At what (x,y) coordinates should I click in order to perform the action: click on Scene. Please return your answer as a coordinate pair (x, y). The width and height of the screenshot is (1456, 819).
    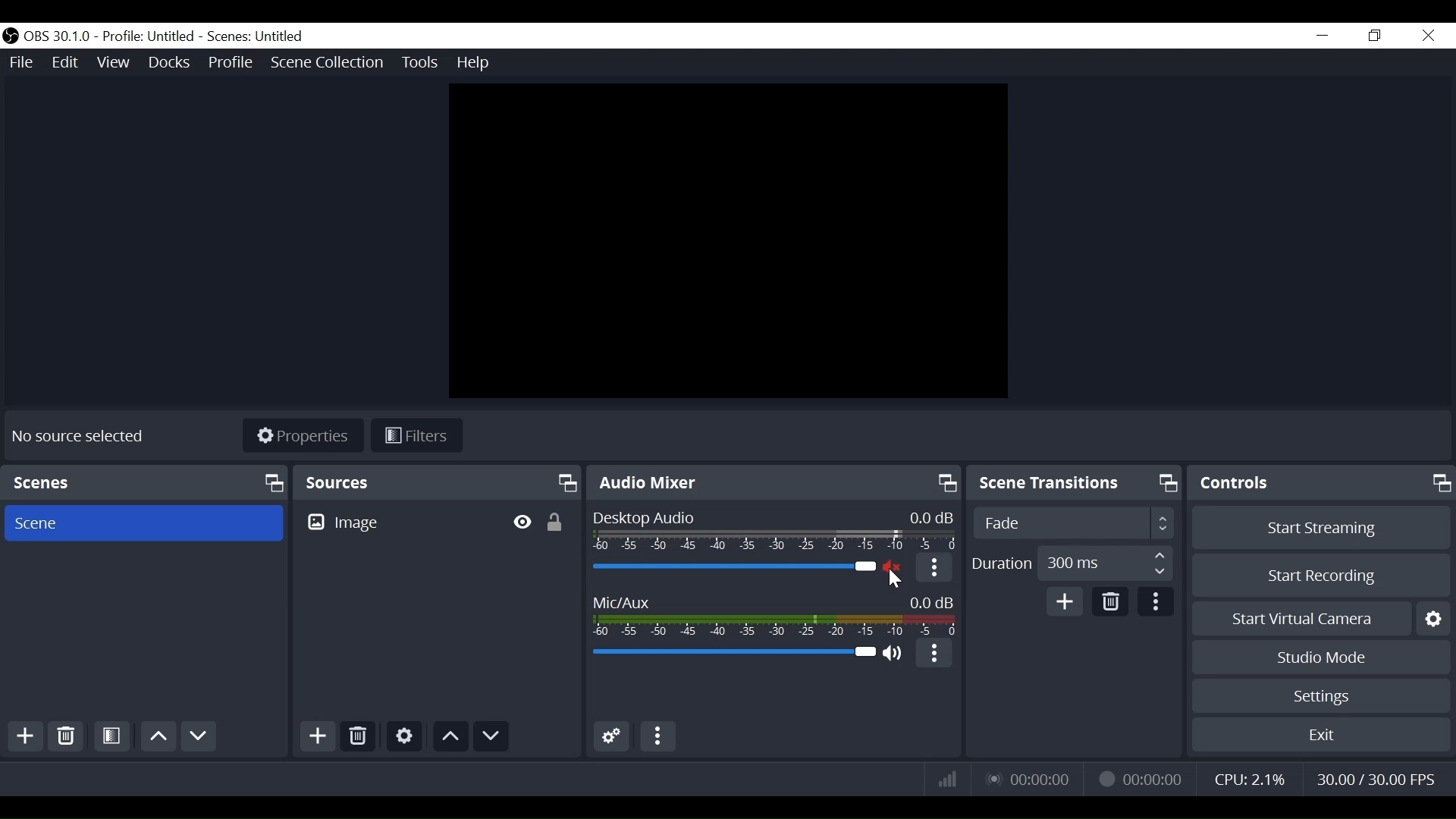
    Looking at the image, I should click on (146, 482).